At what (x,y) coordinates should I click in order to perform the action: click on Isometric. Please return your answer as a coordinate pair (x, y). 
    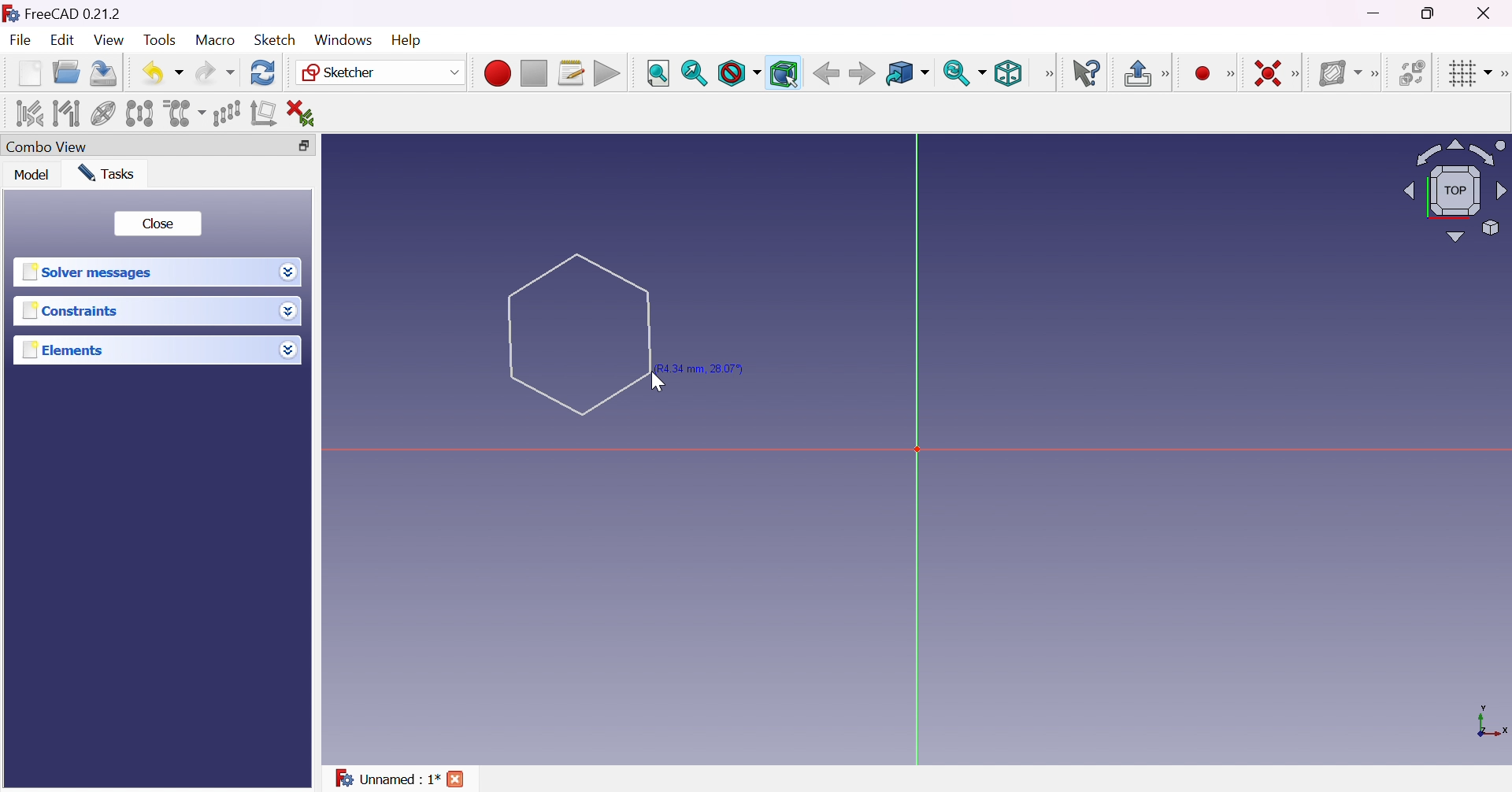
    Looking at the image, I should click on (1008, 72).